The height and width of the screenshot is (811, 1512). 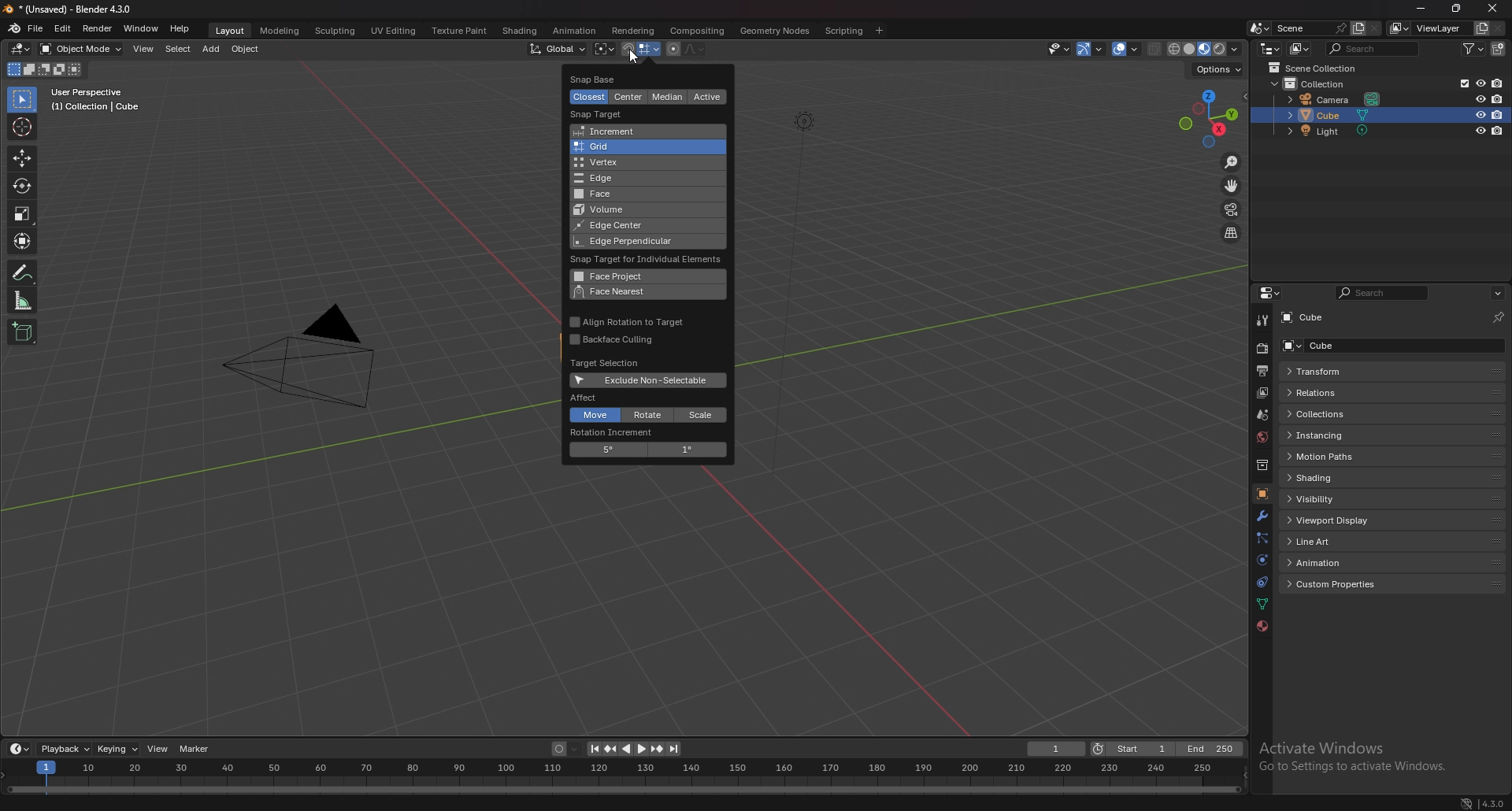 I want to click on rotate, so click(x=23, y=185).